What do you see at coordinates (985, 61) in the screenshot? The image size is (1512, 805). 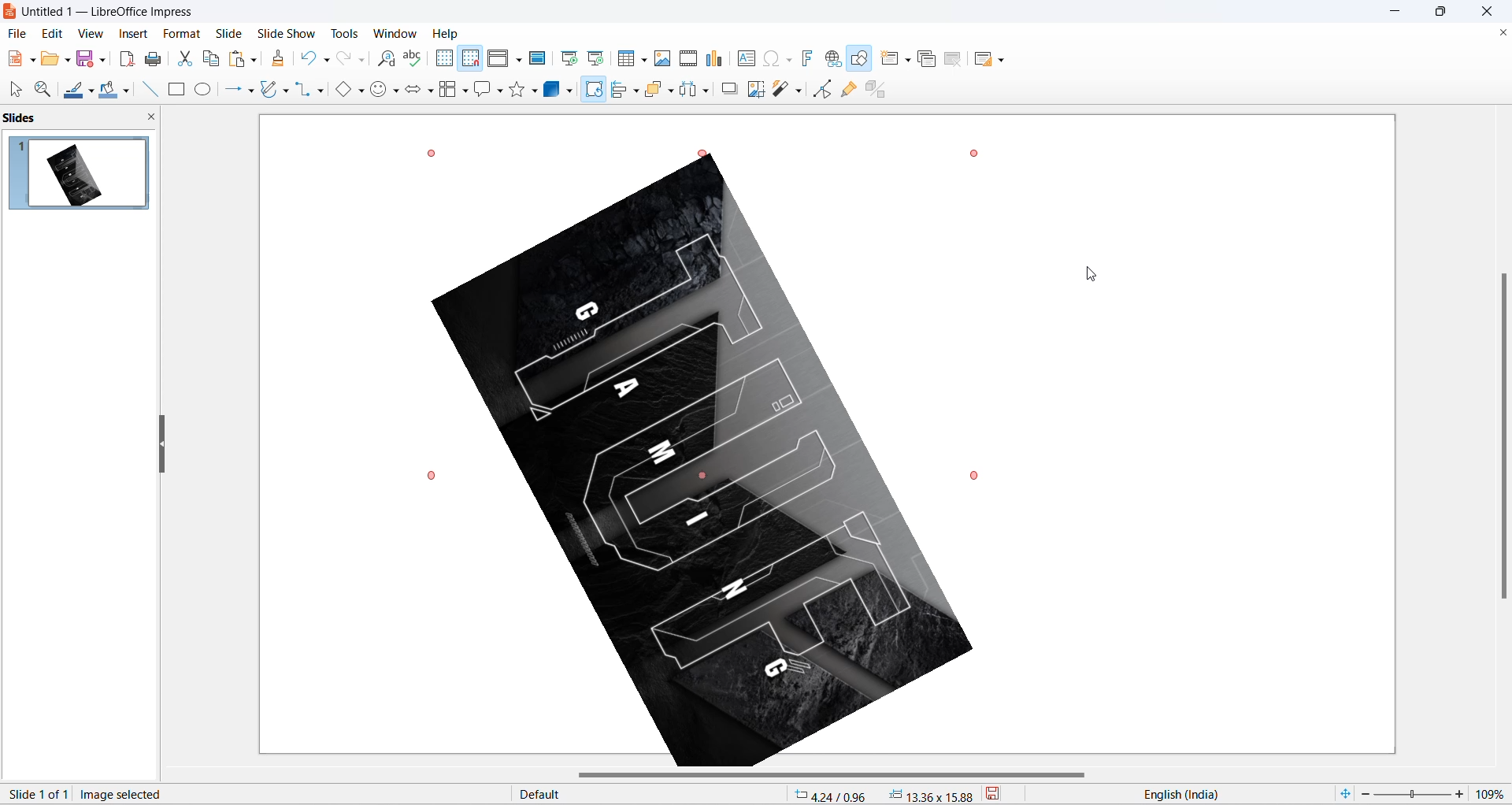 I see `slide layout icon` at bounding box center [985, 61].